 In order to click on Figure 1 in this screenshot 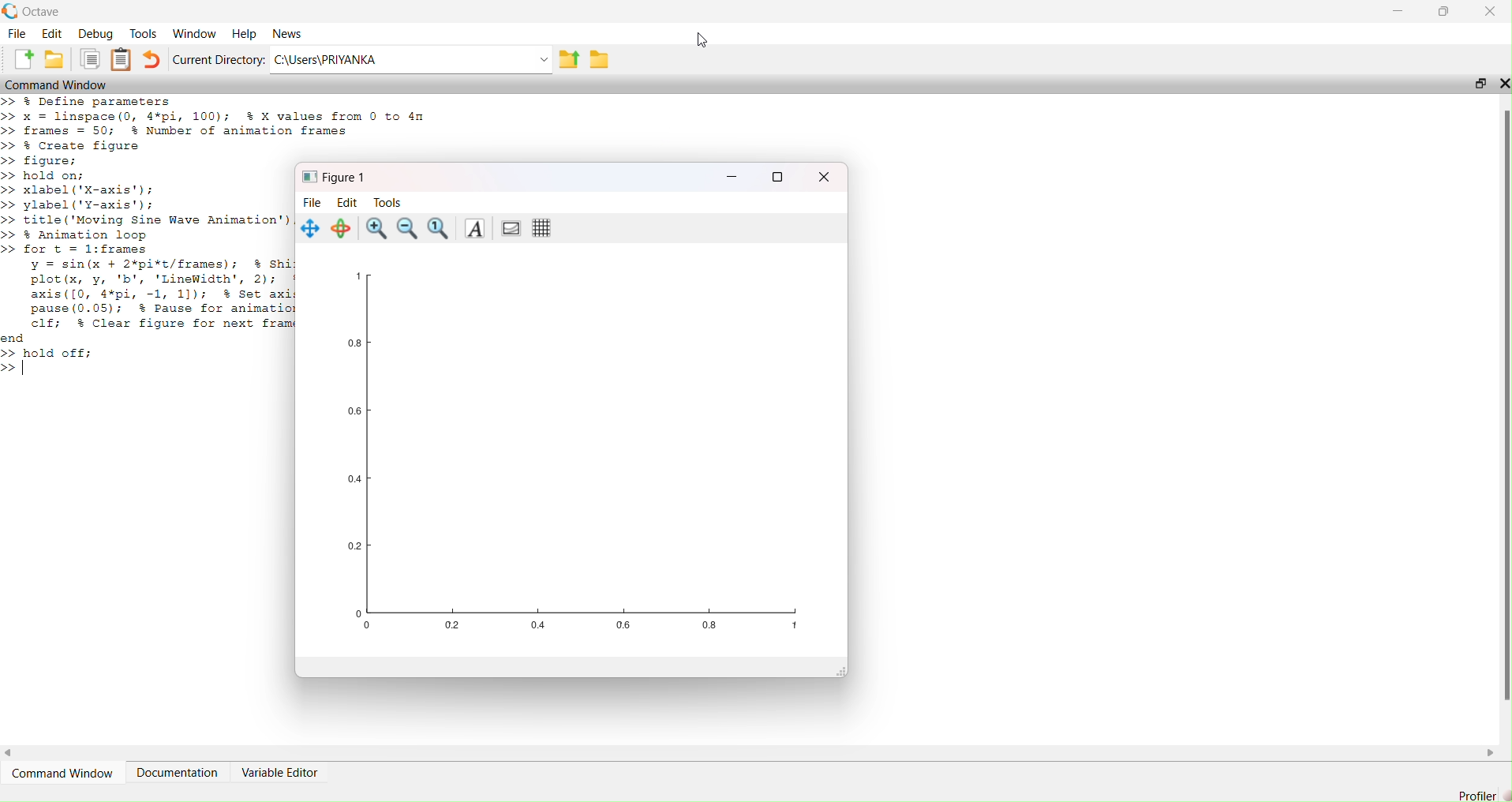, I will do `click(338, 177)`.